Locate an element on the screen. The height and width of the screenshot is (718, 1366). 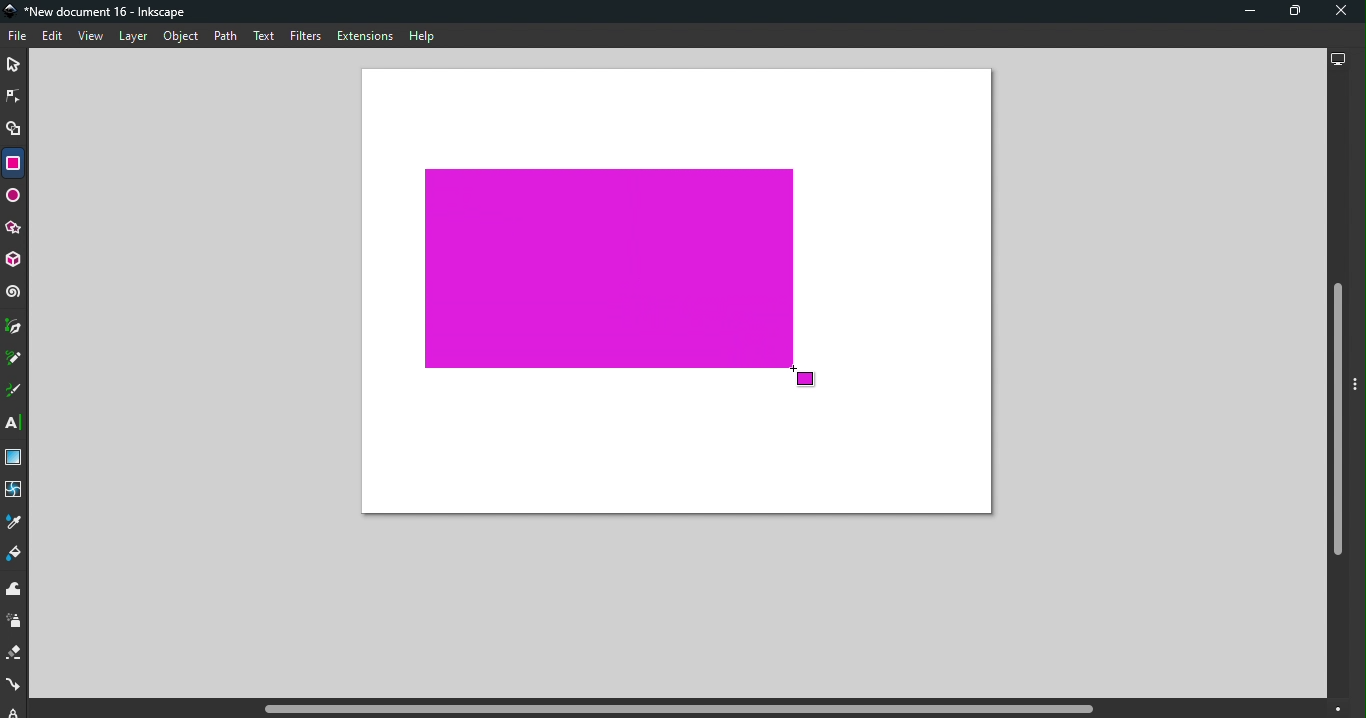
Horizontal scroll bar is located at coordinates (682, 709).